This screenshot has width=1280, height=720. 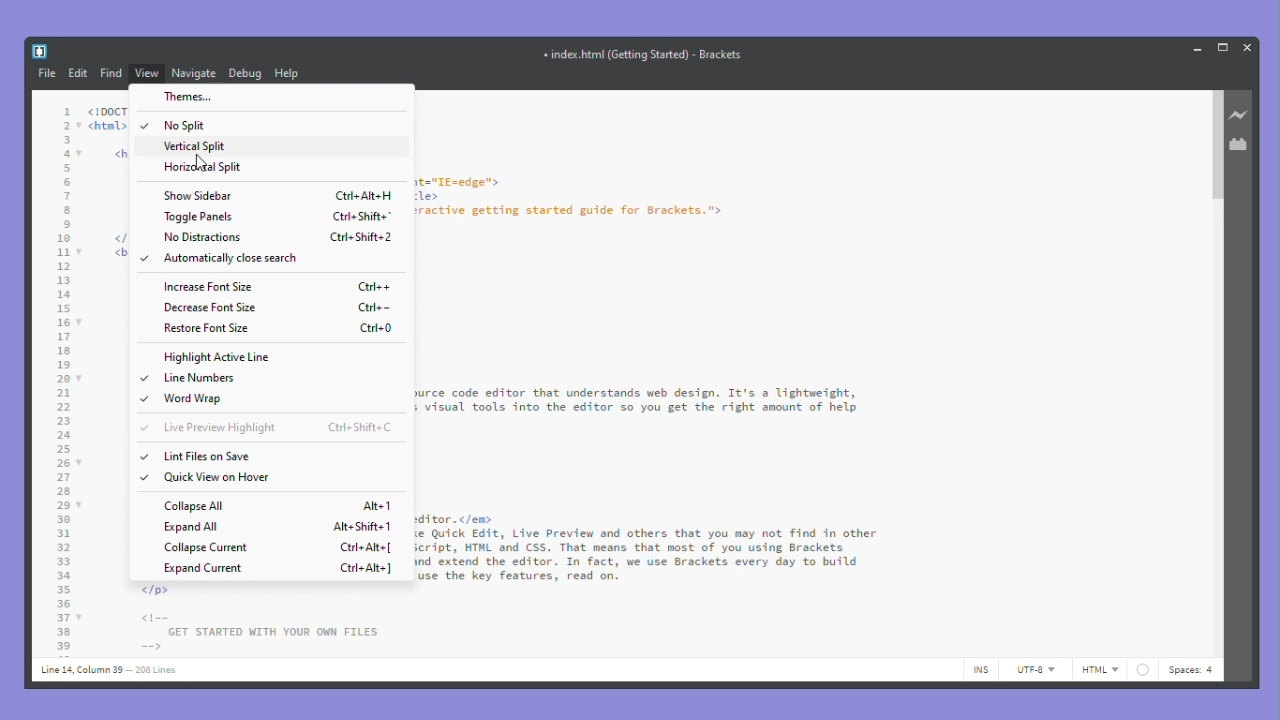 I want to click on 17, so click(x=63, y=336).